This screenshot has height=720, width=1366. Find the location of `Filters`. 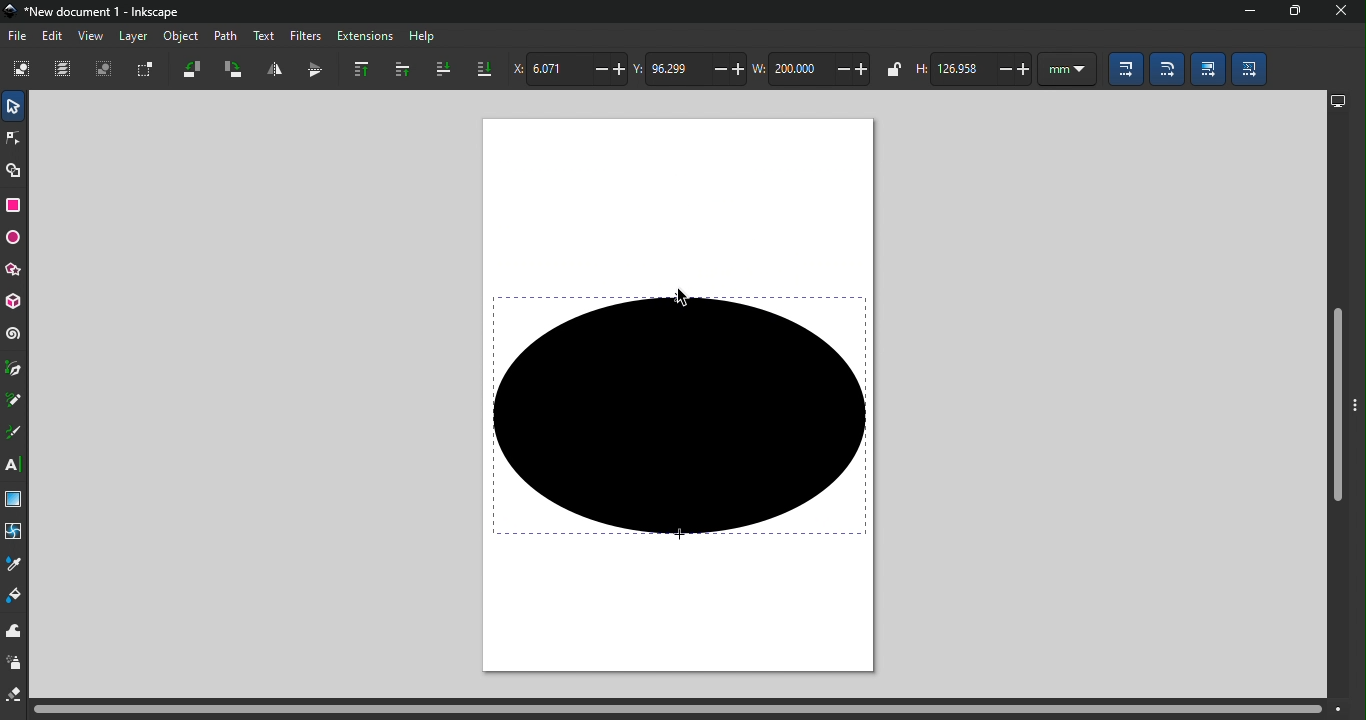

Filters is located at coordinates (305, 36).